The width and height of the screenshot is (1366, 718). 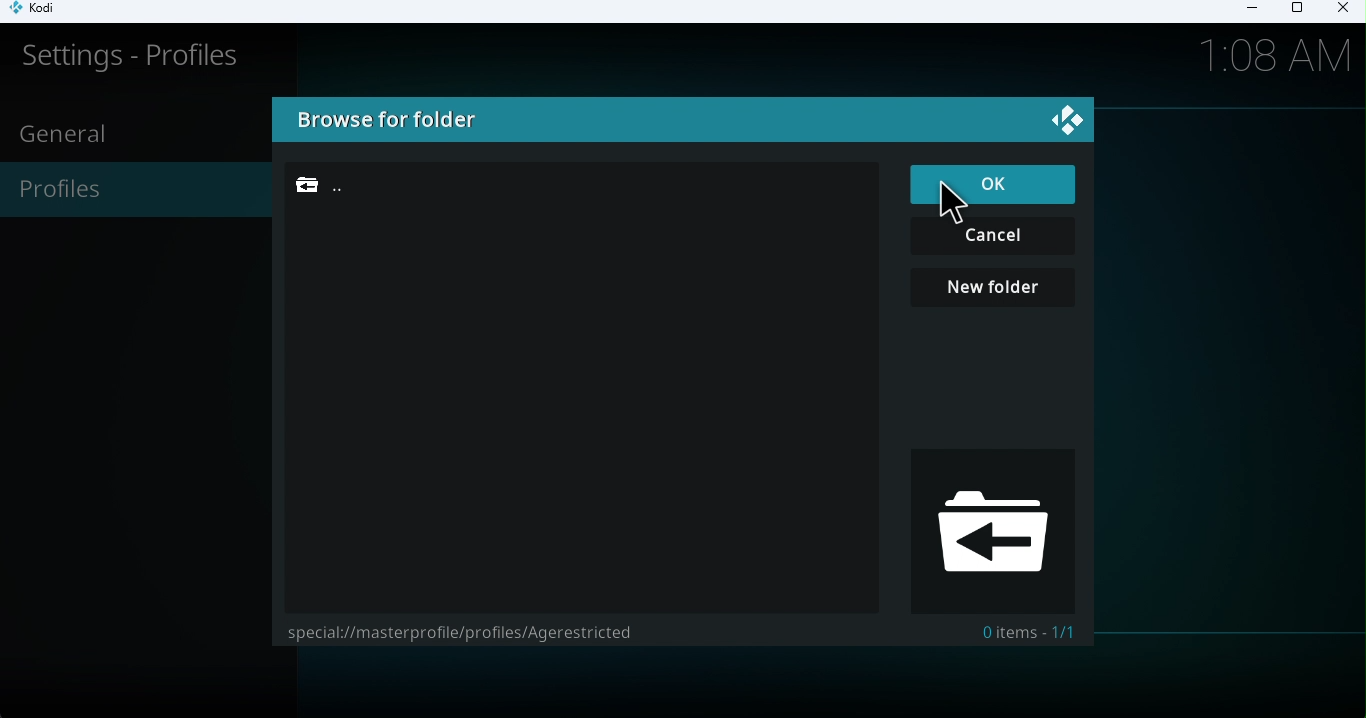 What do you see at coordinates (126, 69) in the screenshot?
I see `Settings-profile` at bounding box center [126, 69].